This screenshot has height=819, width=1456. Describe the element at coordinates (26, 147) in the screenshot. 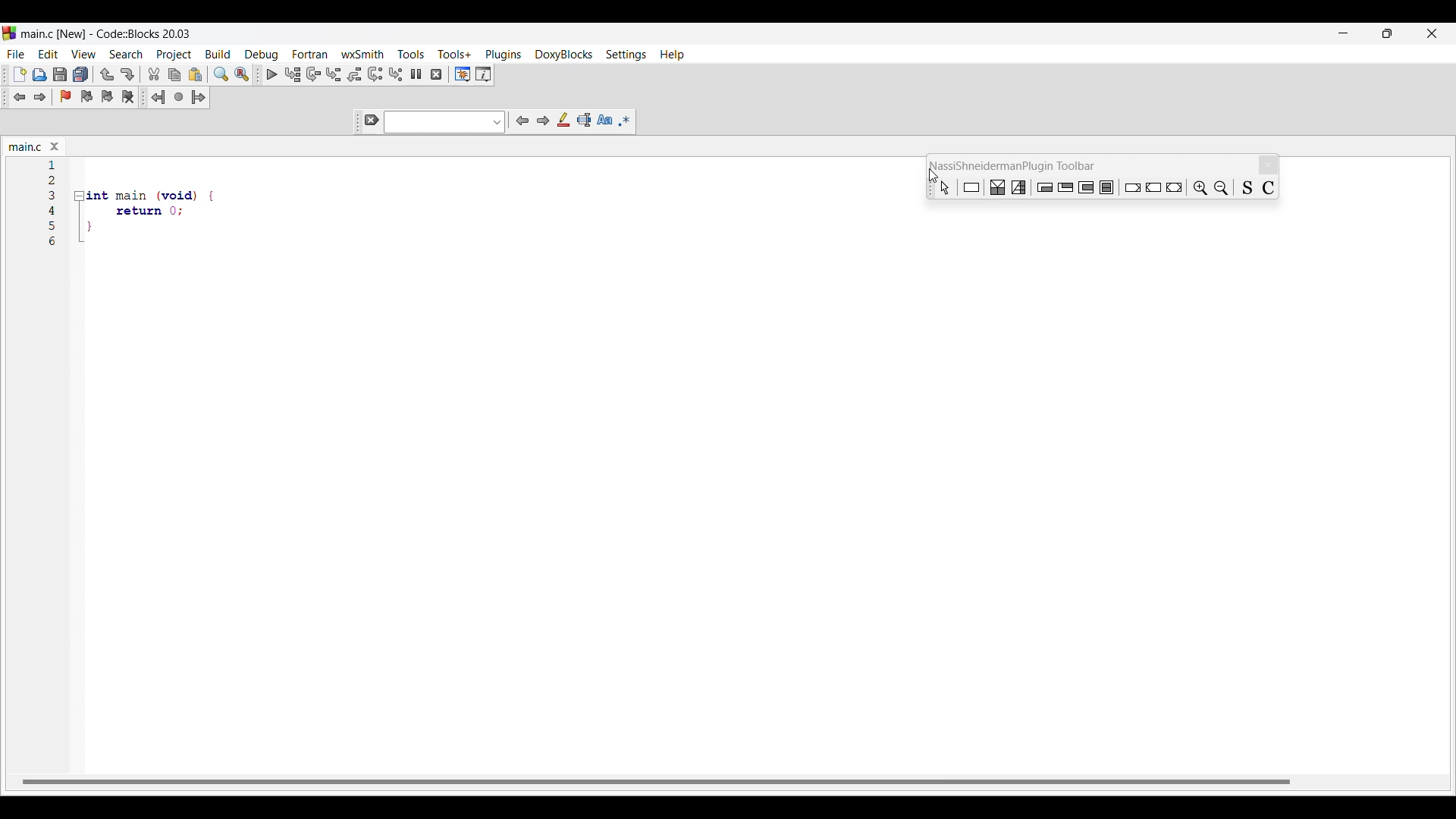

I see `Current tab` at that location.